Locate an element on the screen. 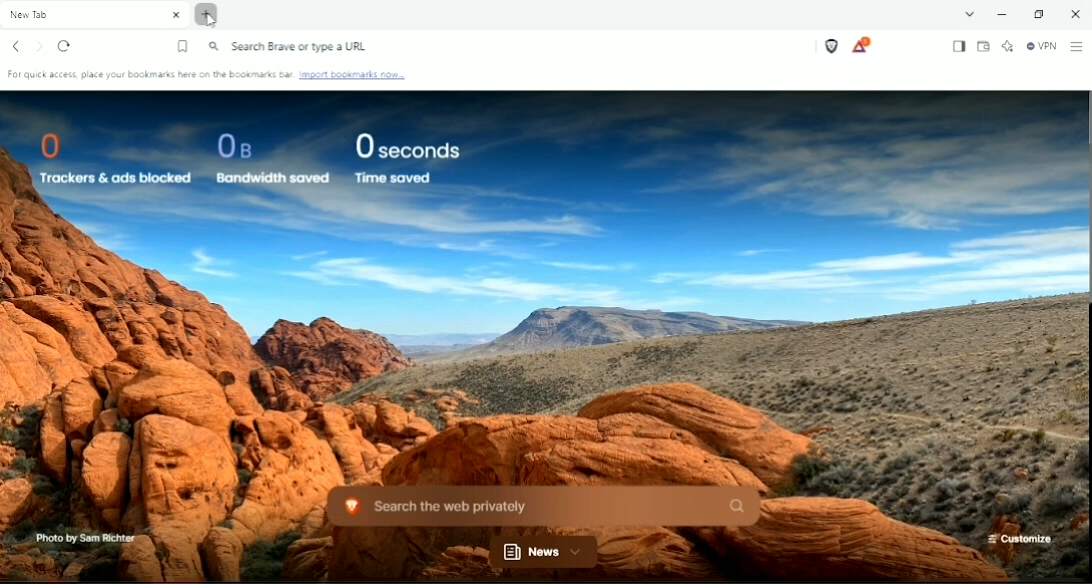  Customize and control Brave is located at coordinates (1077, 46).